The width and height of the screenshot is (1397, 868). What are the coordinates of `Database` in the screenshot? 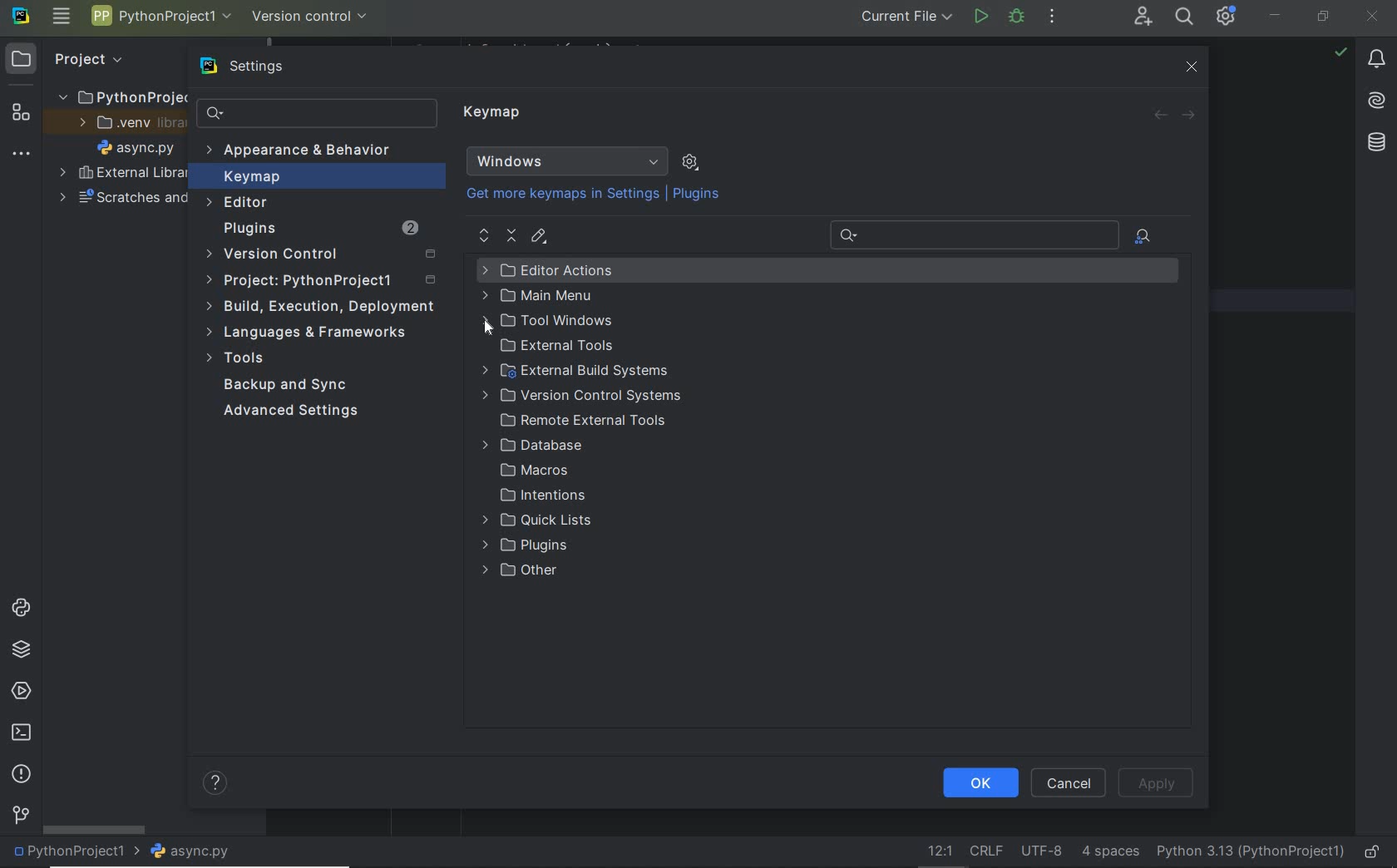 It's located at (531, 446).